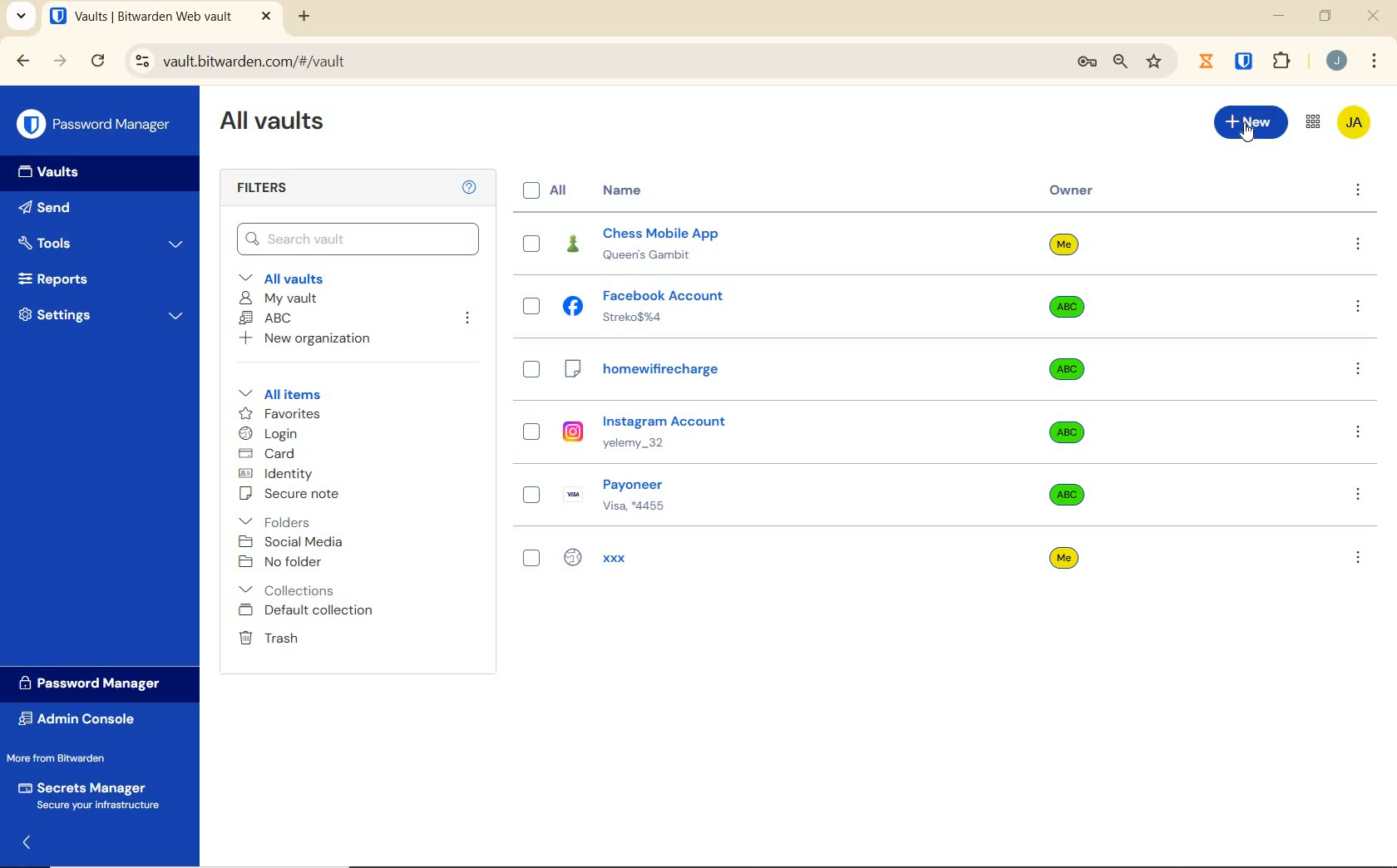 The height and width of the screenshot is (868, 1397). Describe the element at coordinates (1336, 62) in the screenshot. I see `Account` at that location.